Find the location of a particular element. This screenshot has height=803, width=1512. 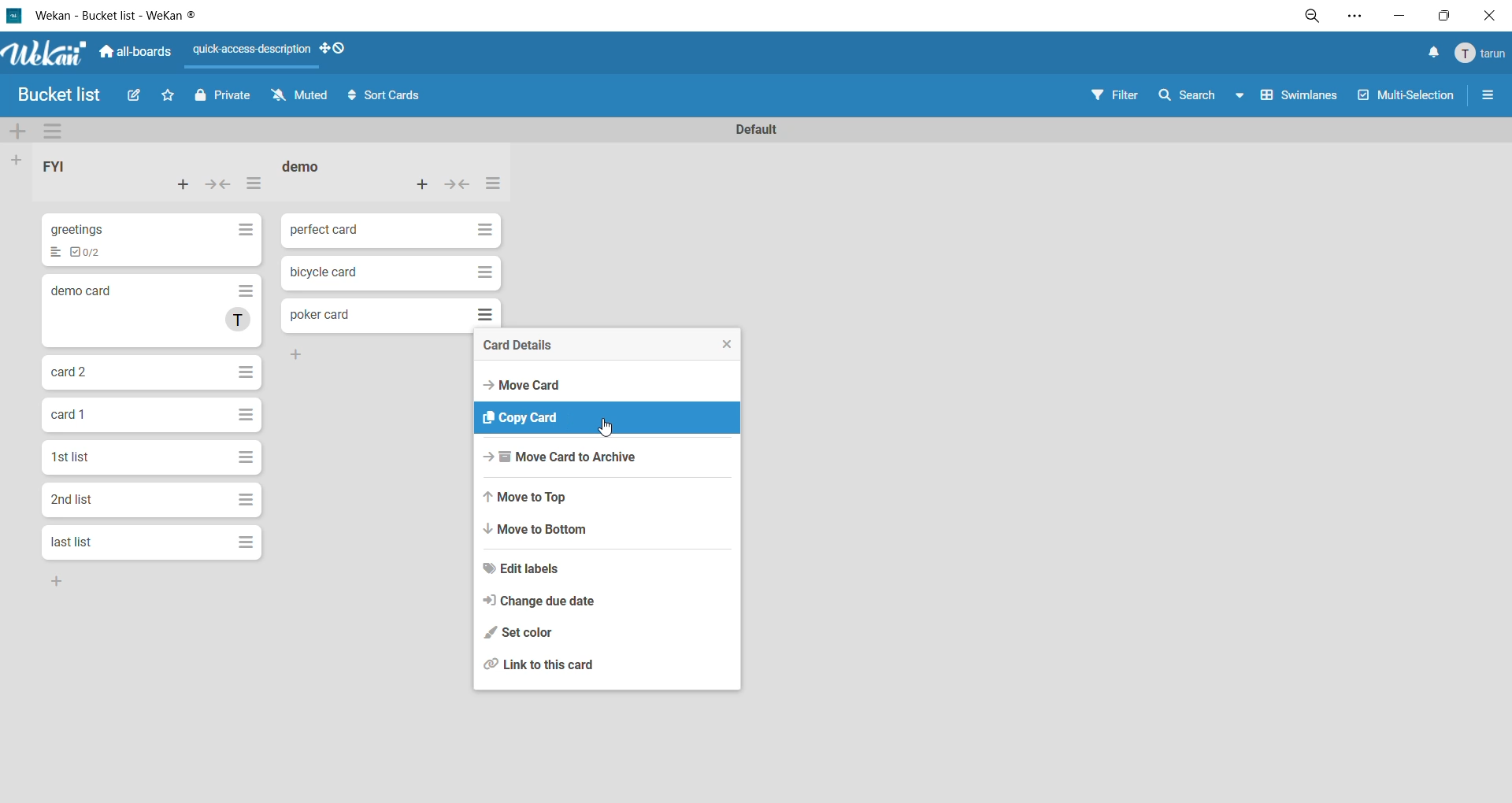

cursor is located at coordinates (608, 430).